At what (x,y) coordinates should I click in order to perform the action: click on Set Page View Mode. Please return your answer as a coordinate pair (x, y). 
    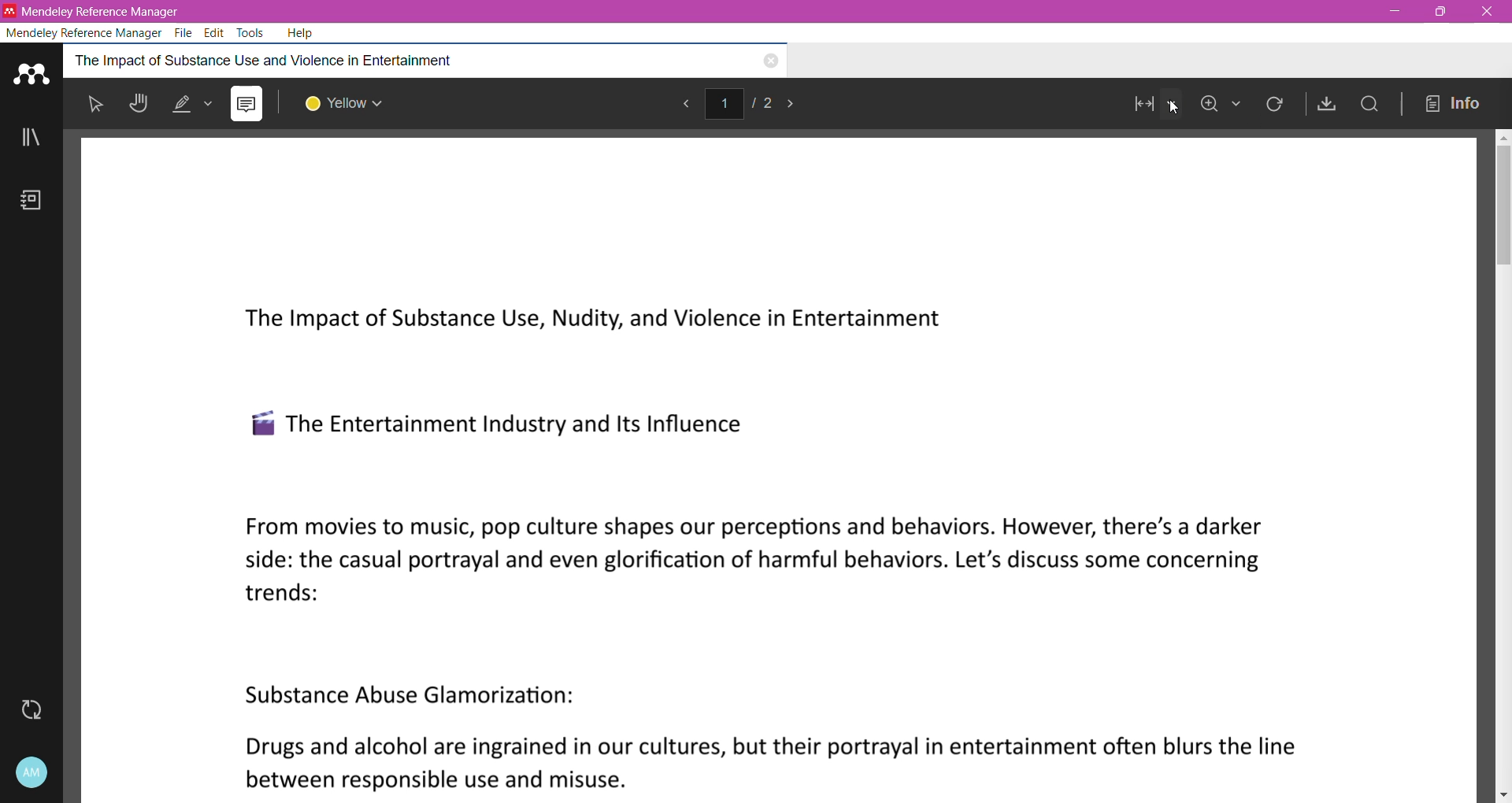
    Looking at the image, I should click on (1154, 105).